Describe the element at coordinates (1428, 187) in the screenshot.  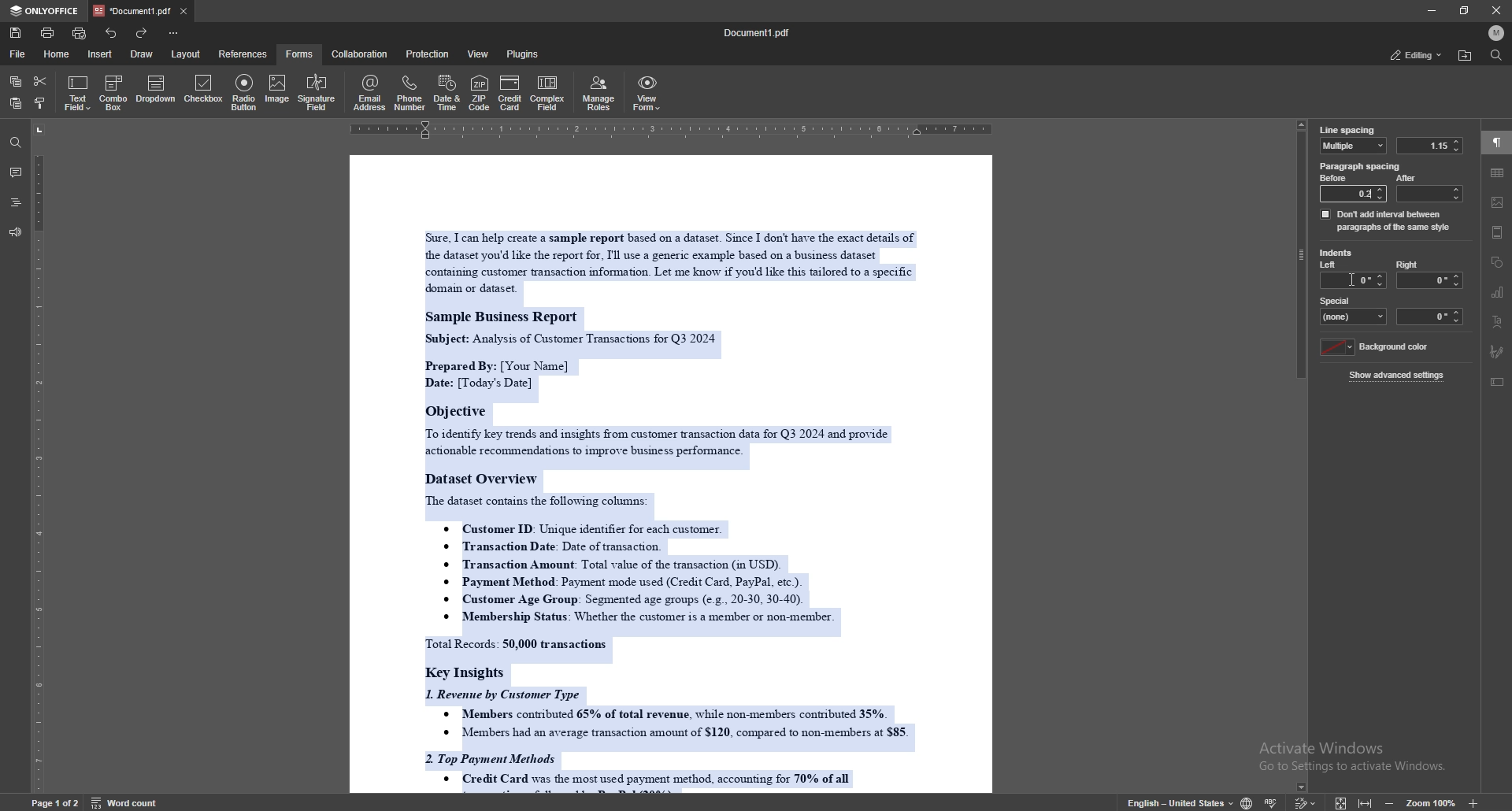
I see `after` at that location.